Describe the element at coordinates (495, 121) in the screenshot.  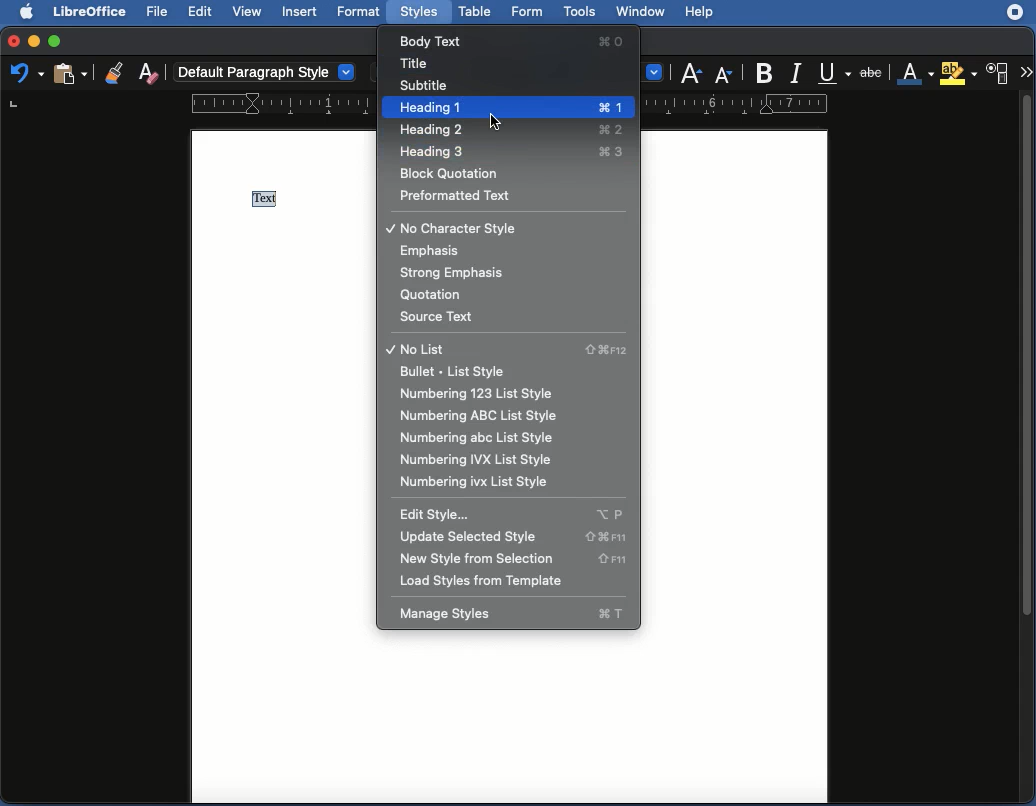
I see `cursor` at that location.